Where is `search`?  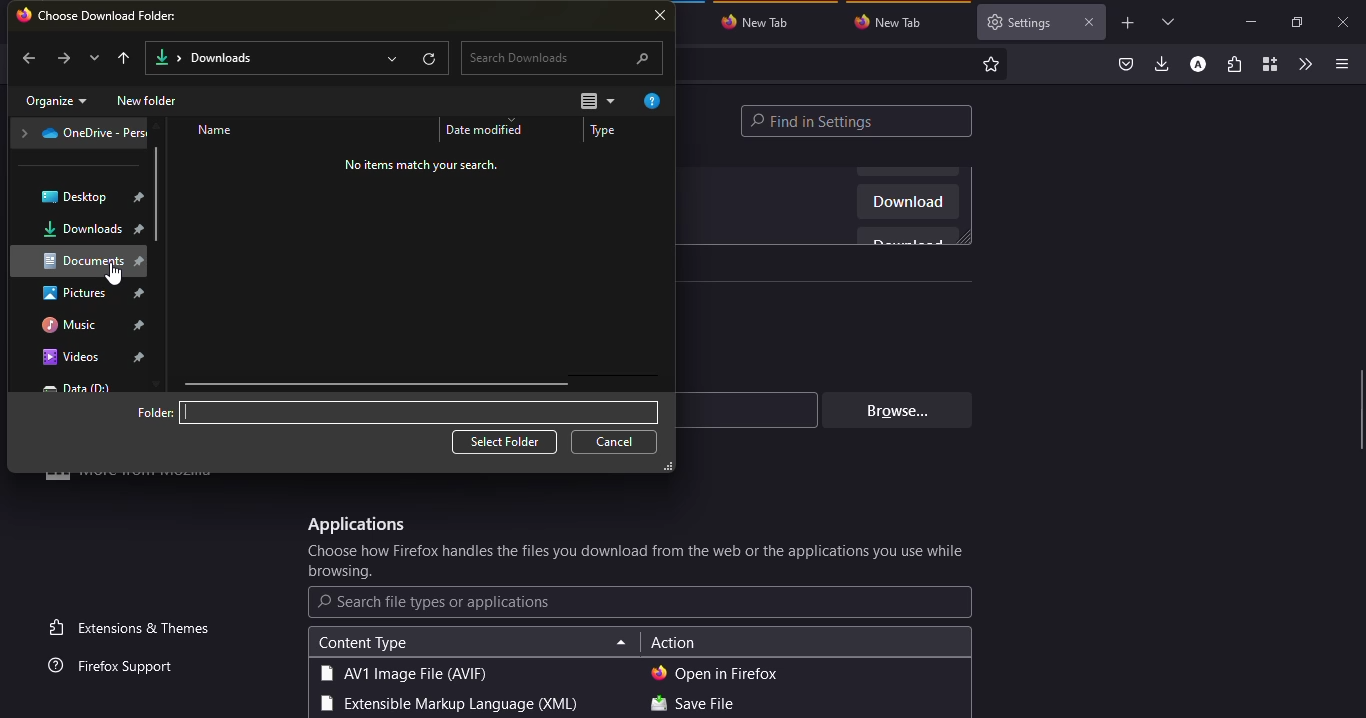
search is located at coordinates (562, 58).